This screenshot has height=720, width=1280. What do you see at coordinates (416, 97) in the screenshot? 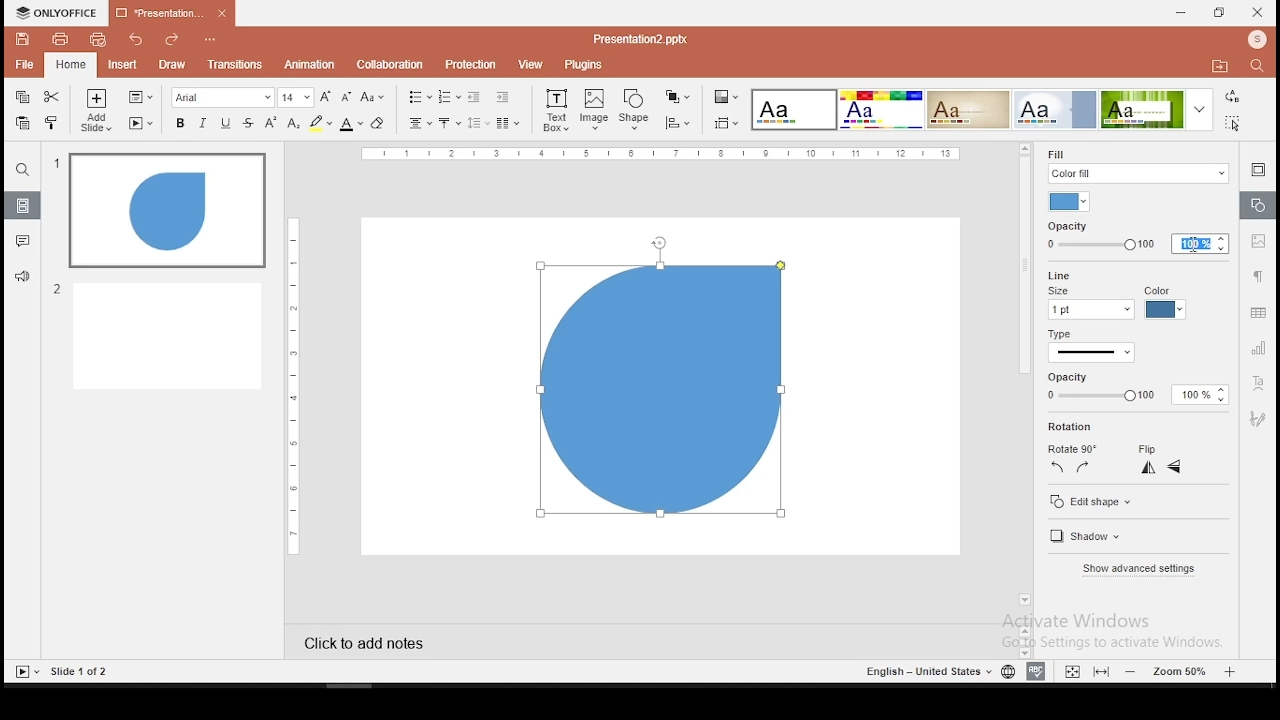
I see `bullets` at bounding box center [416, 97].